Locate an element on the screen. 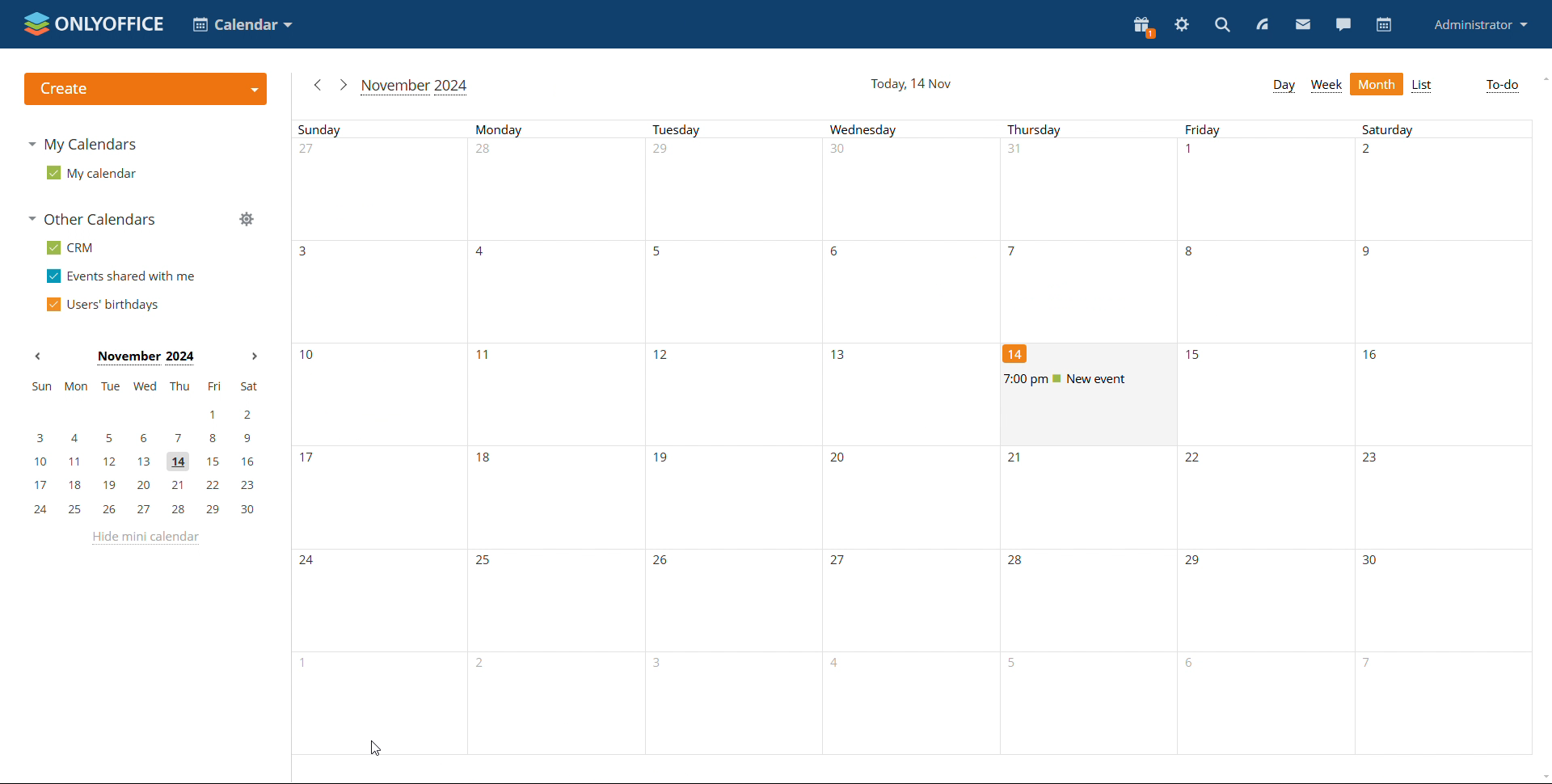  number is located at coordinates (484, 561).